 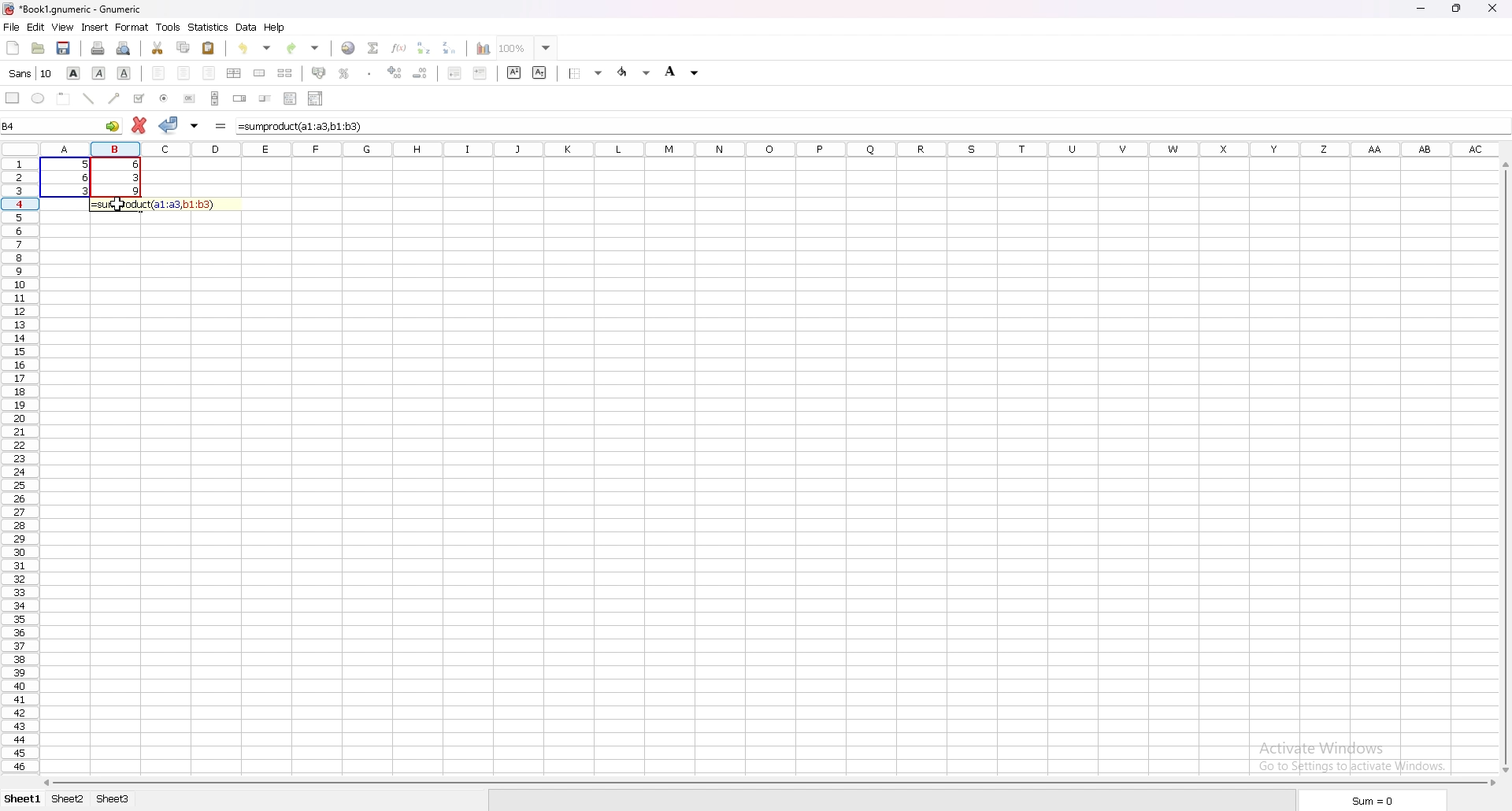 I want to click on slider, so click(x=265, y=98).